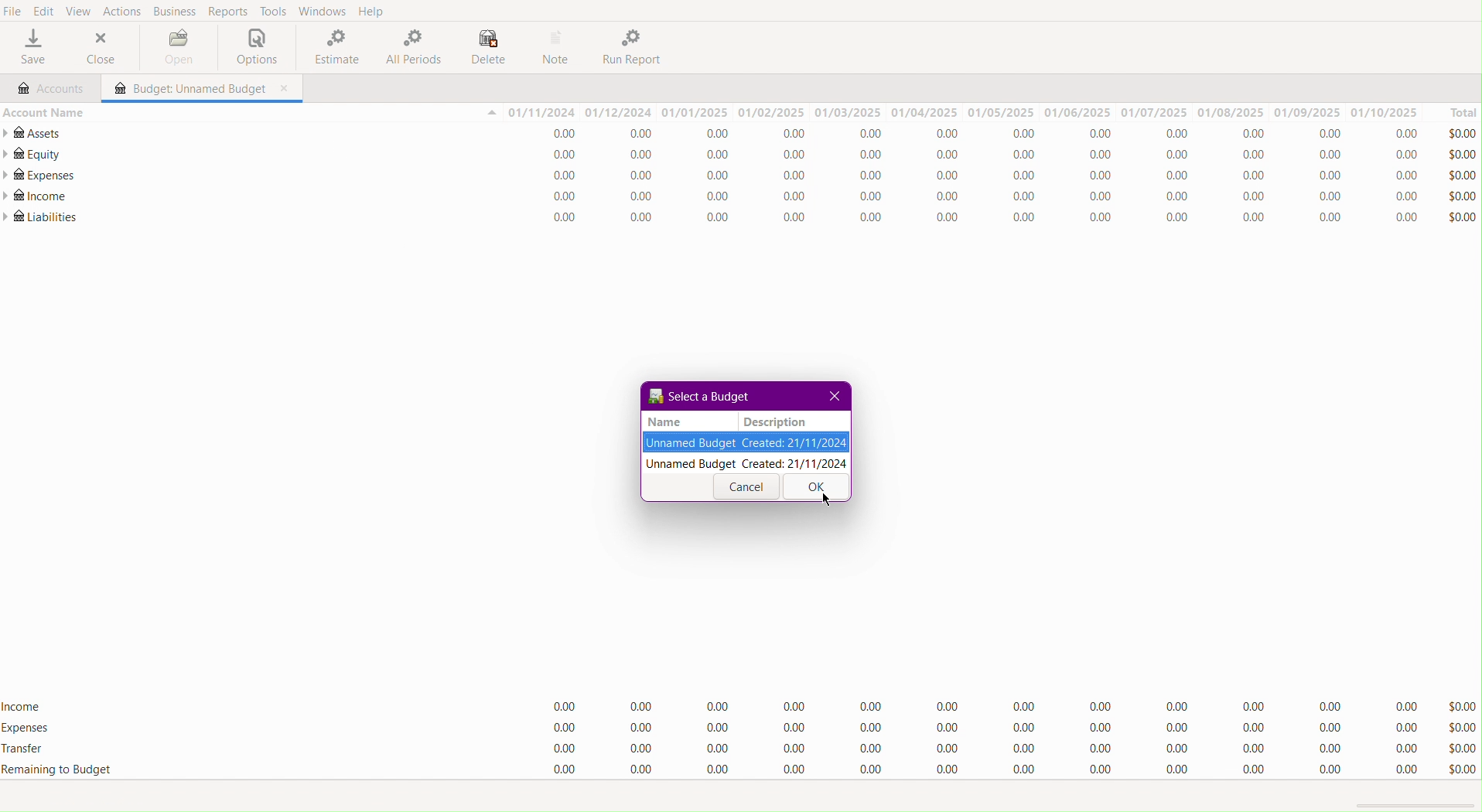 The width and height of the screenshot is (1482, 812). What do you see at coordinates (49, 87) in the screenshot?
I see `Accounts` at bounding box center [49, 87].